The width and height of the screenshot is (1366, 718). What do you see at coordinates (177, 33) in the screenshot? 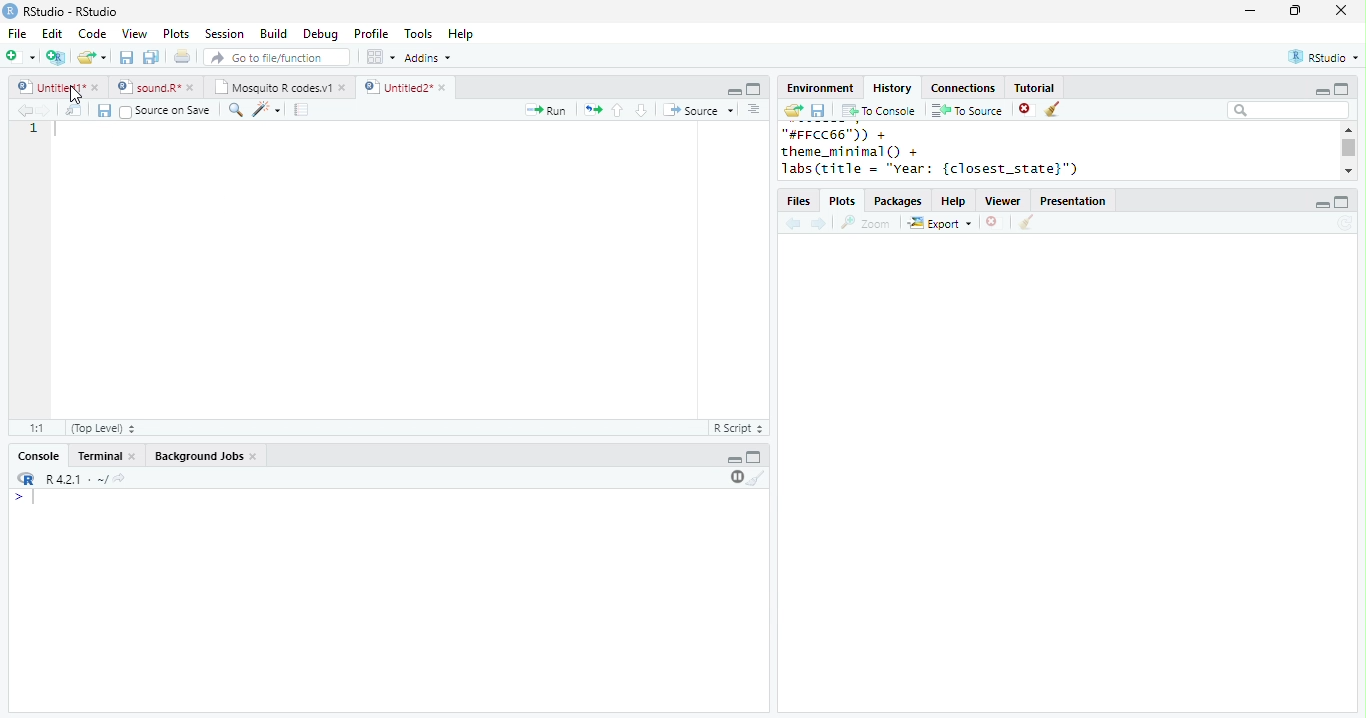
I see `Plots` at bounding box center [177, 33].